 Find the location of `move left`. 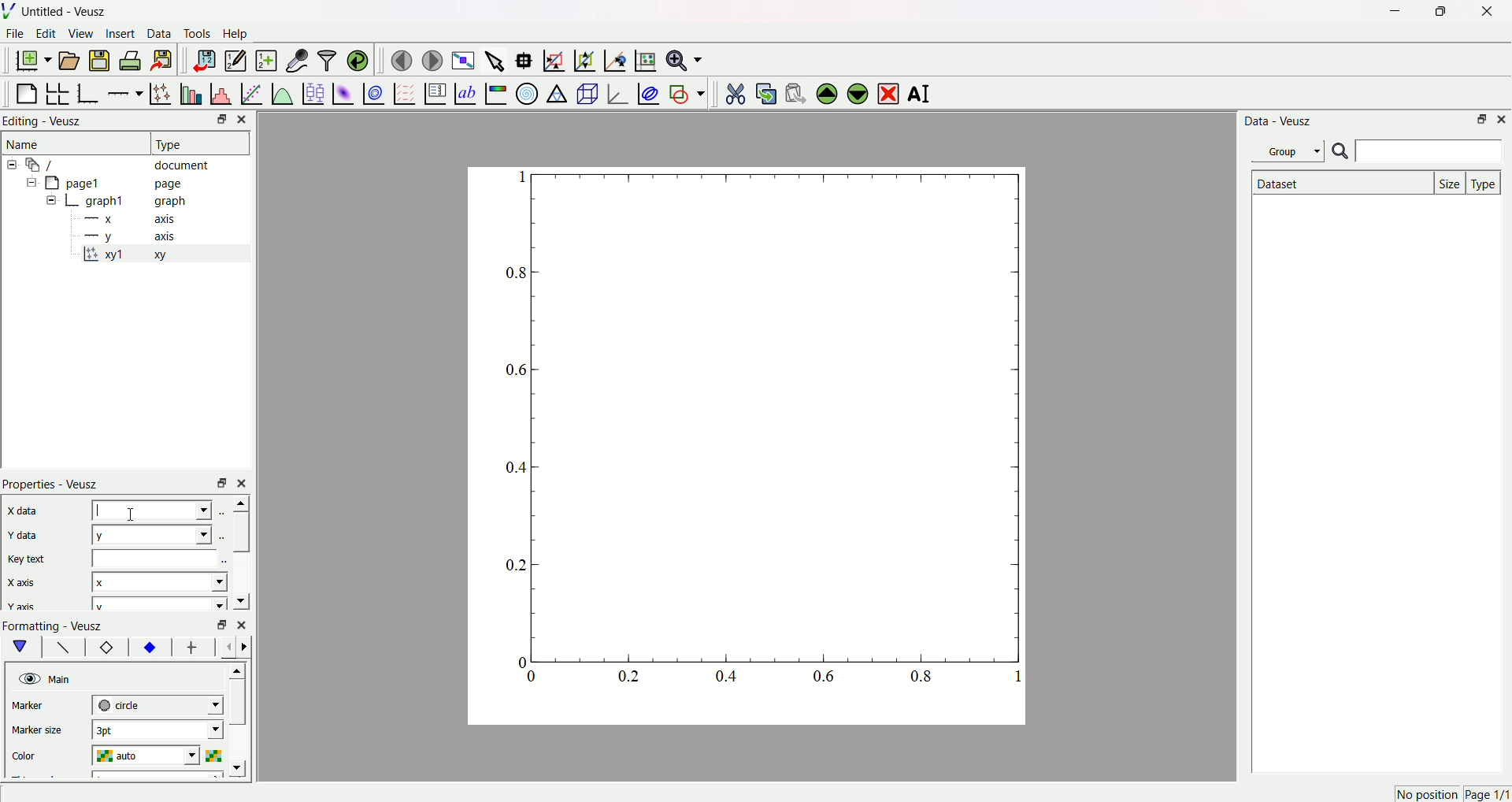

move left is located at coordinates (230, 647).